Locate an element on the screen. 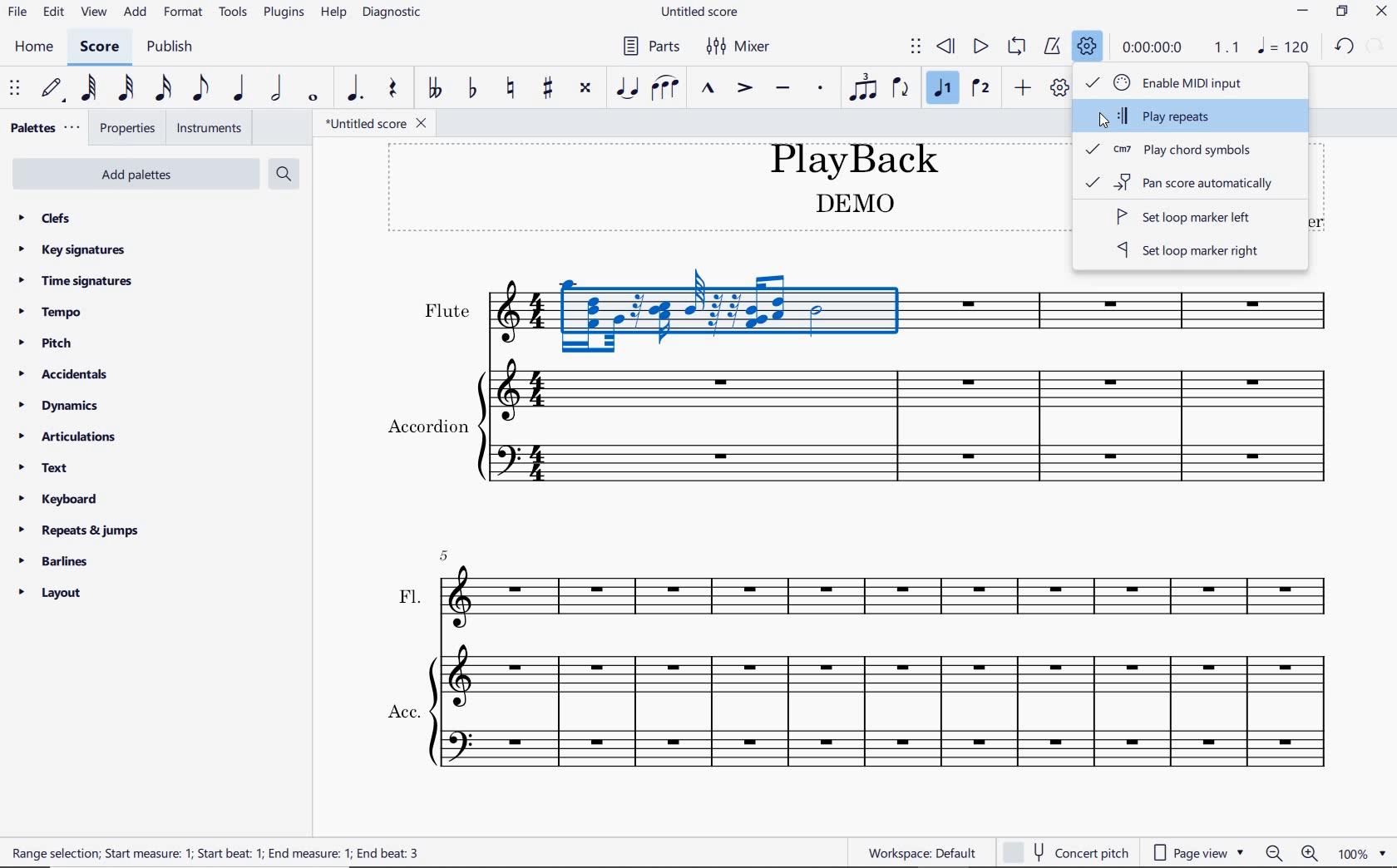 This screenshot has width=1397, height=868. file is located at coordinates (17, 12).